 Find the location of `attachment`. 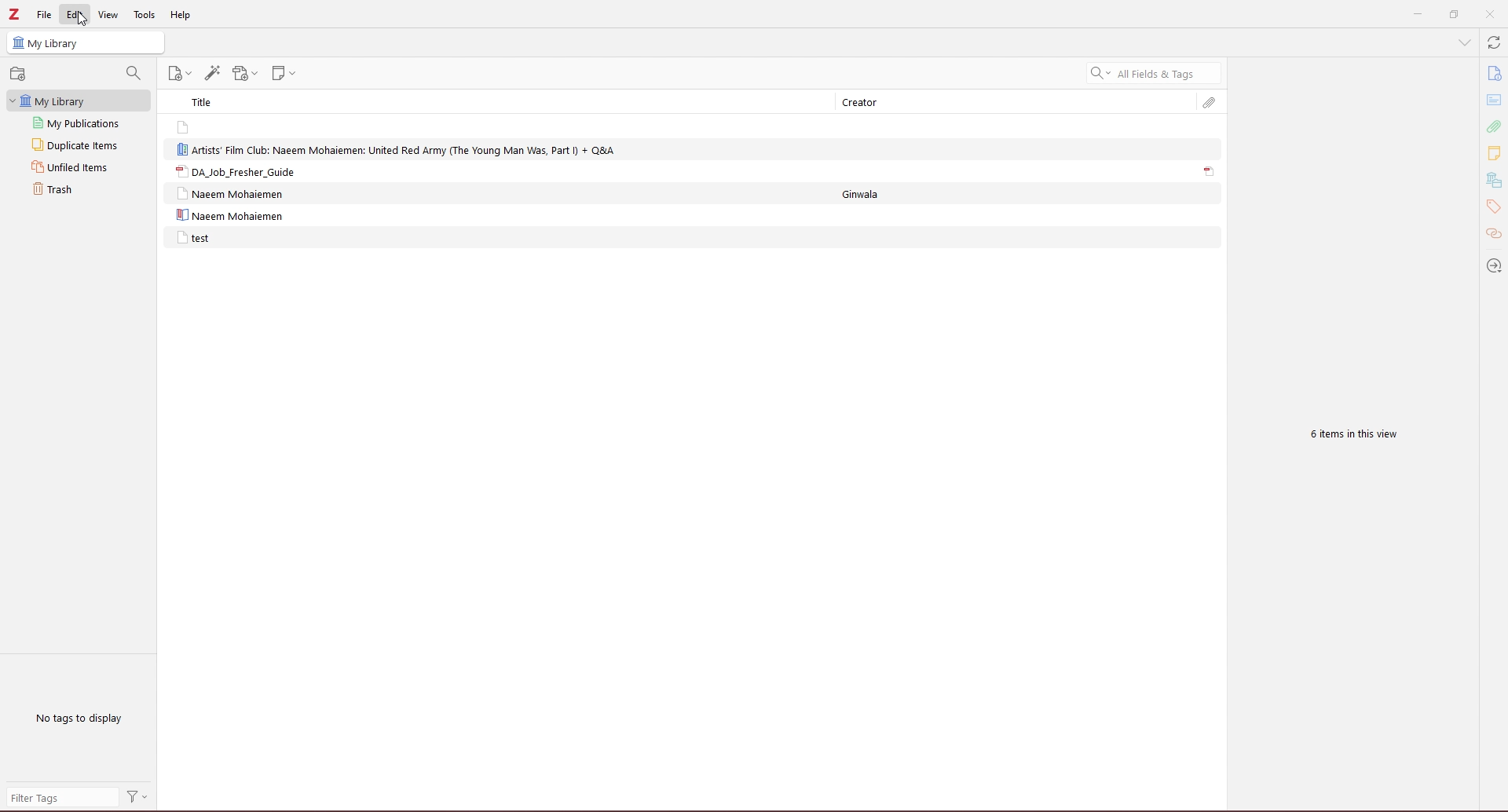

attachment is located at coordinates (1493, 126).